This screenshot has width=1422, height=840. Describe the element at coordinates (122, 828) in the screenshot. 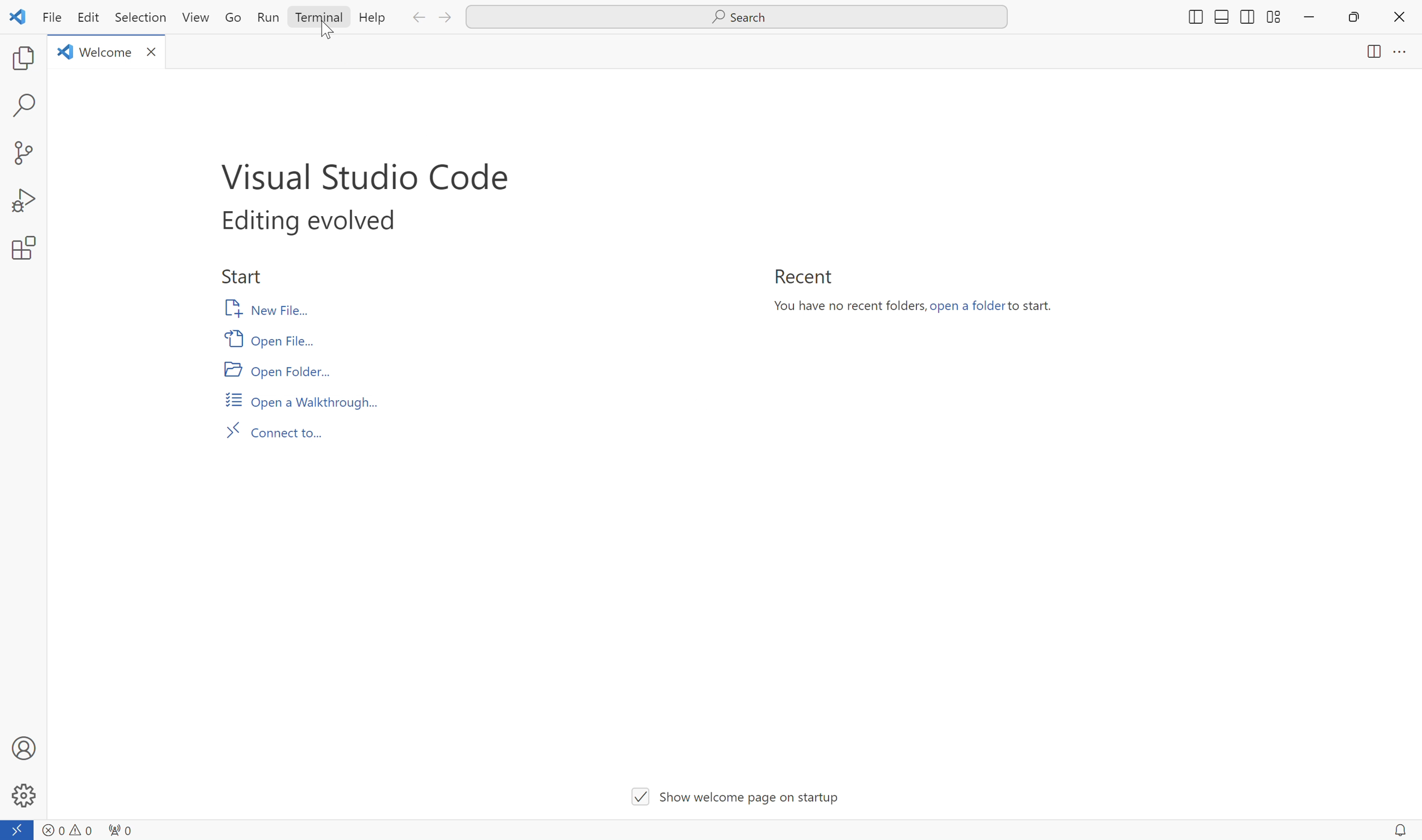

I see `network` at that location.